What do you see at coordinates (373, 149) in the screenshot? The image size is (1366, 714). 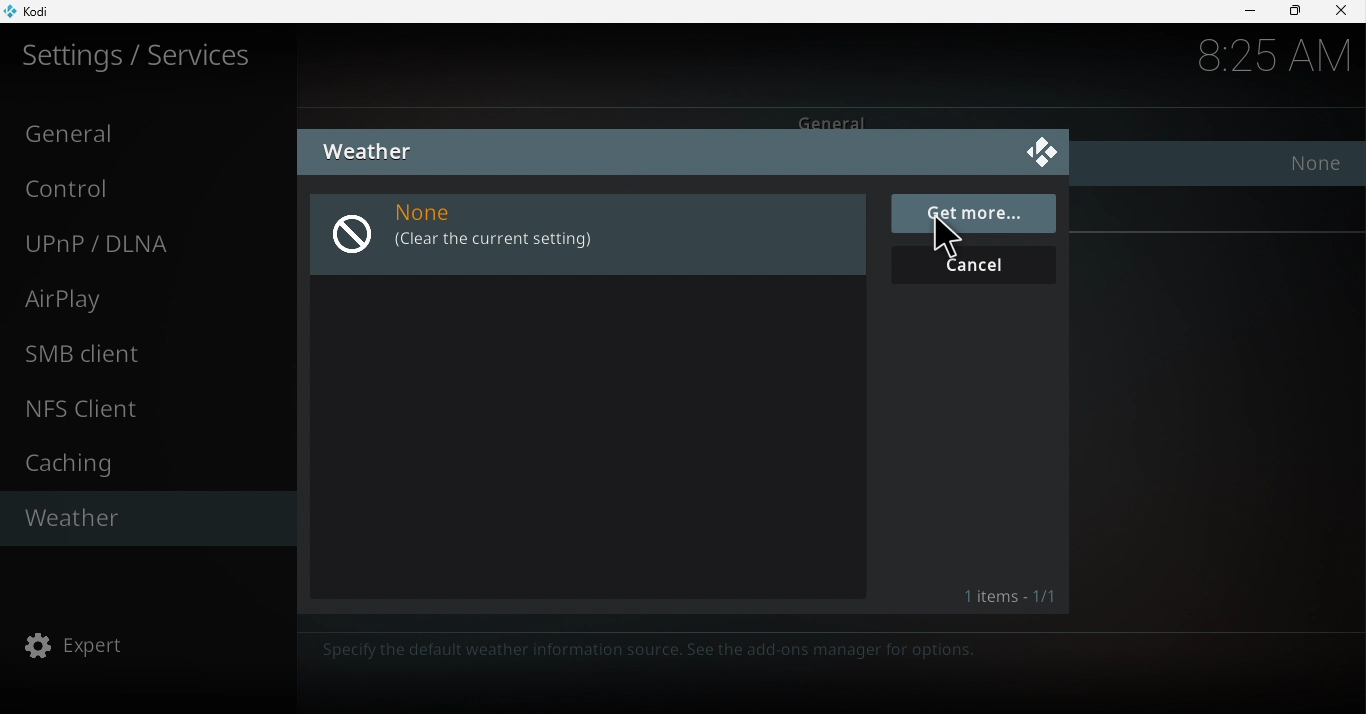 I see `Weather` at bounding box center [373, 149].